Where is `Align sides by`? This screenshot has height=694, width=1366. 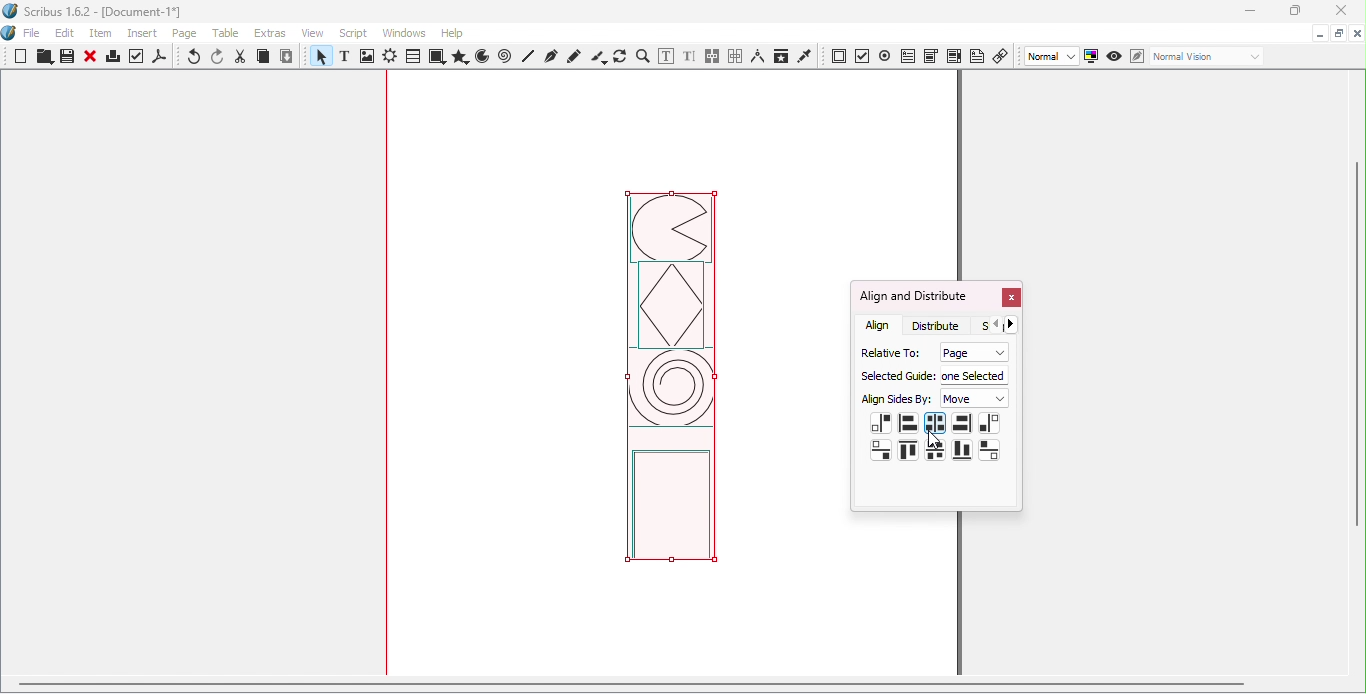
Align sides by is located at coordinates (897, 400).